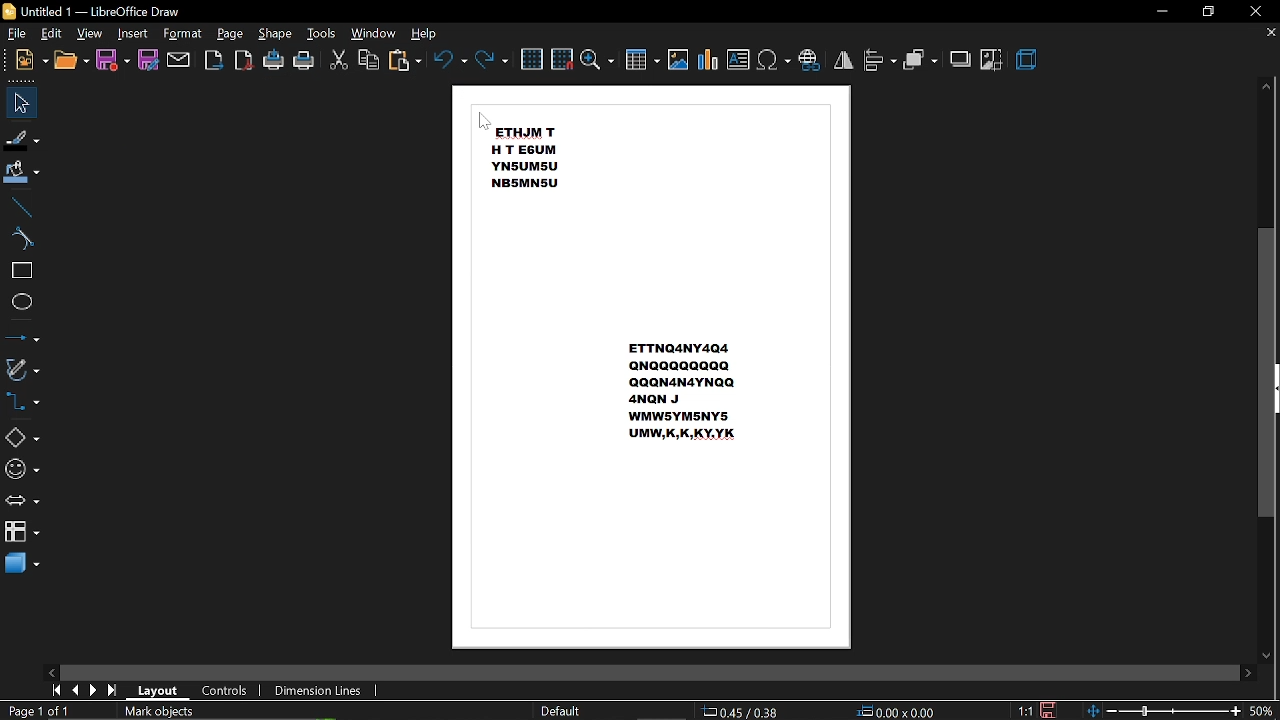 Image resolution: width=1280 pixels, height=720 pixels. I want to click on tools, so click(324, 33).